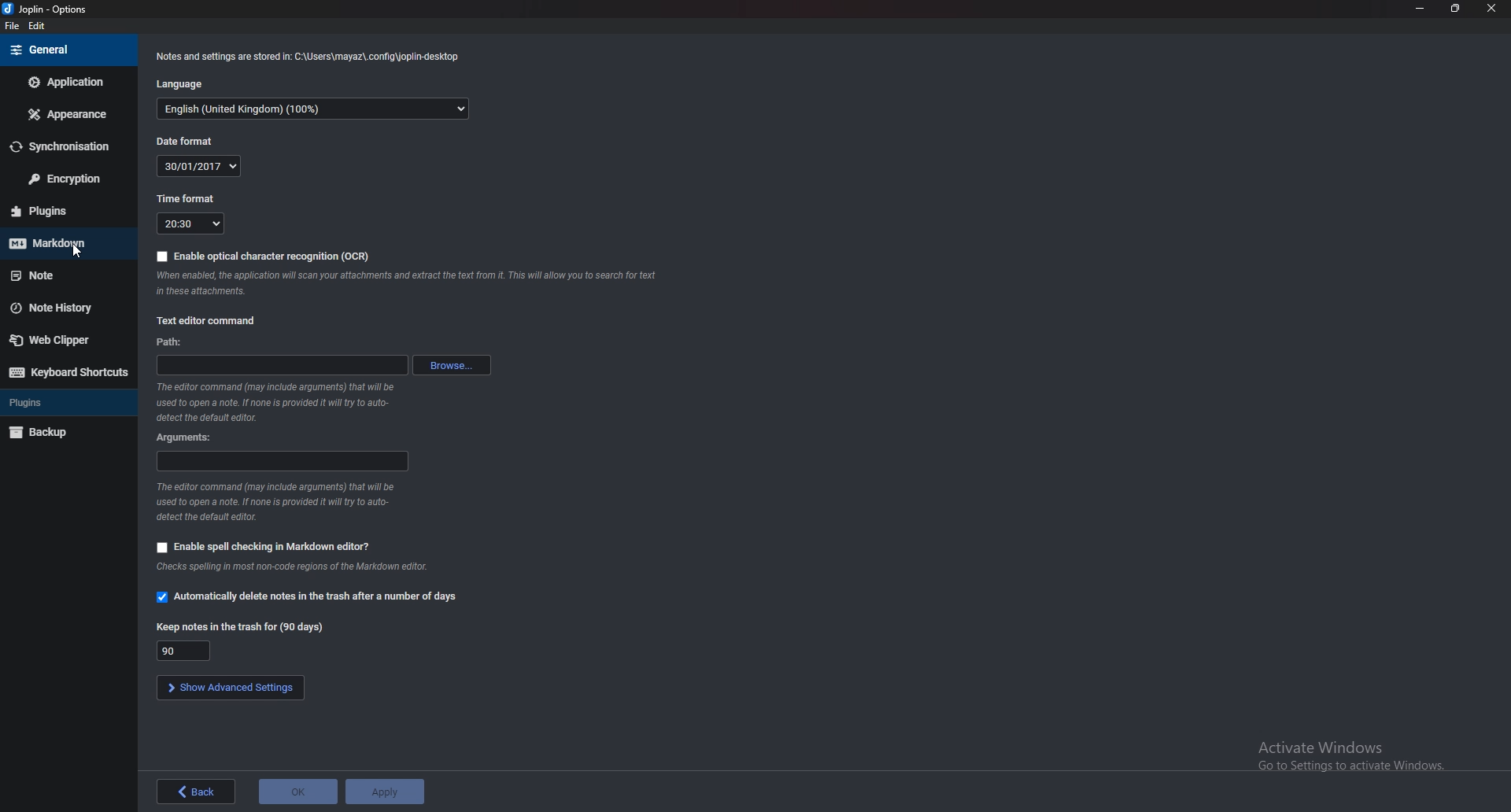 The height and width of the screenshot is (812, 1511). I want to click on plugins, so click(61, 210).